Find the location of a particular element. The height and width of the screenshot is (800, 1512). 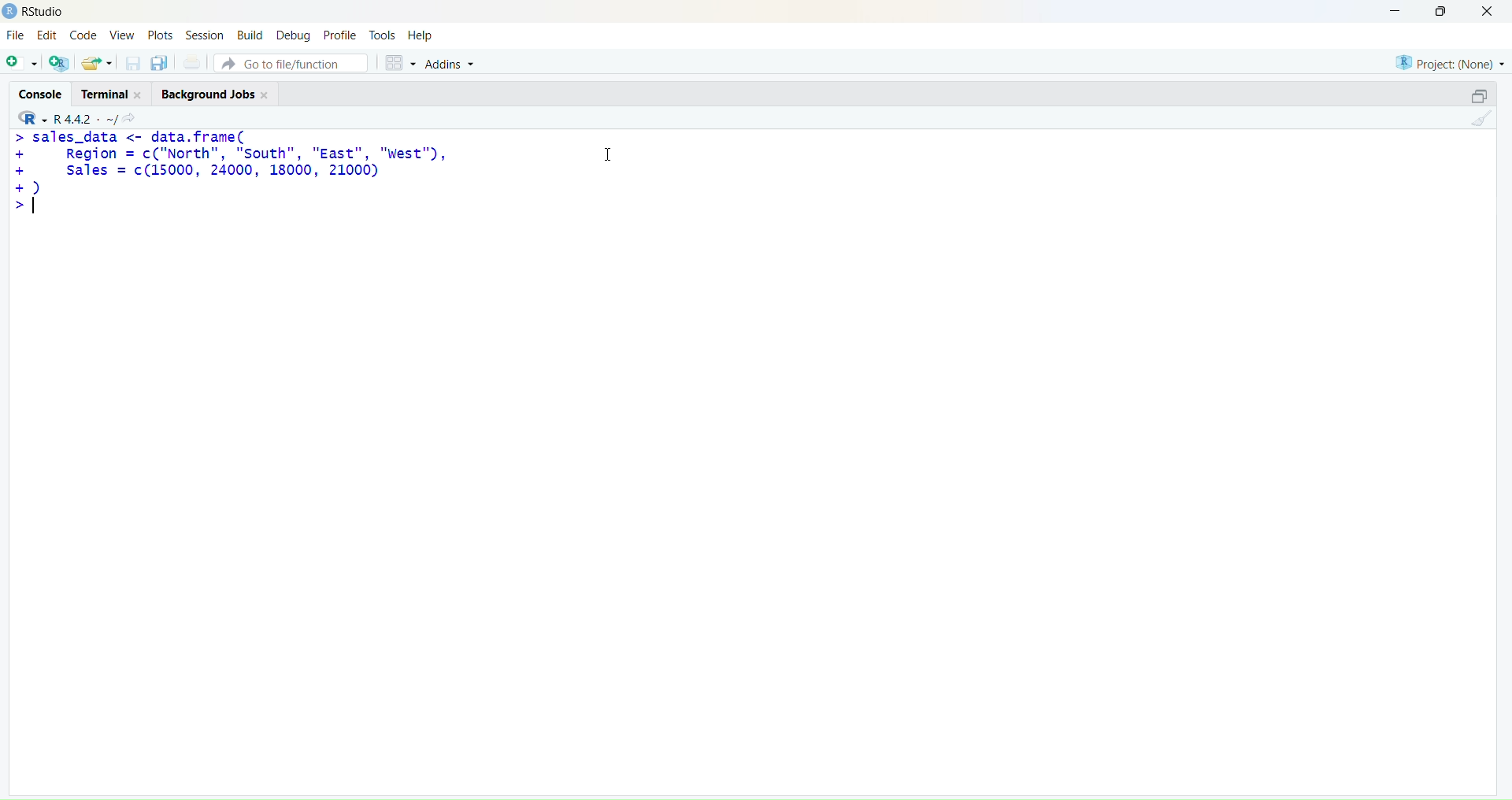

save as is located at coordinates (159, 64).